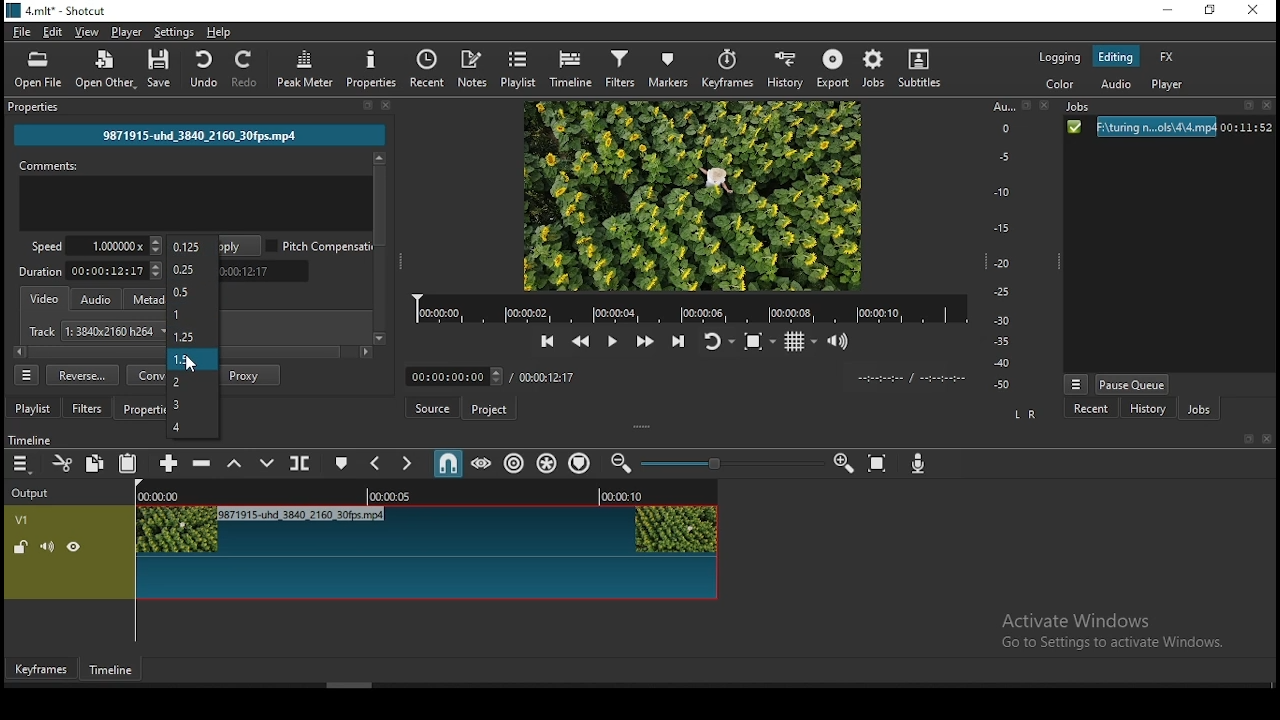 The image size is (1280, 720). Describe the element at coordinates (489, 409) in the screenshot. I see `project` at that location.